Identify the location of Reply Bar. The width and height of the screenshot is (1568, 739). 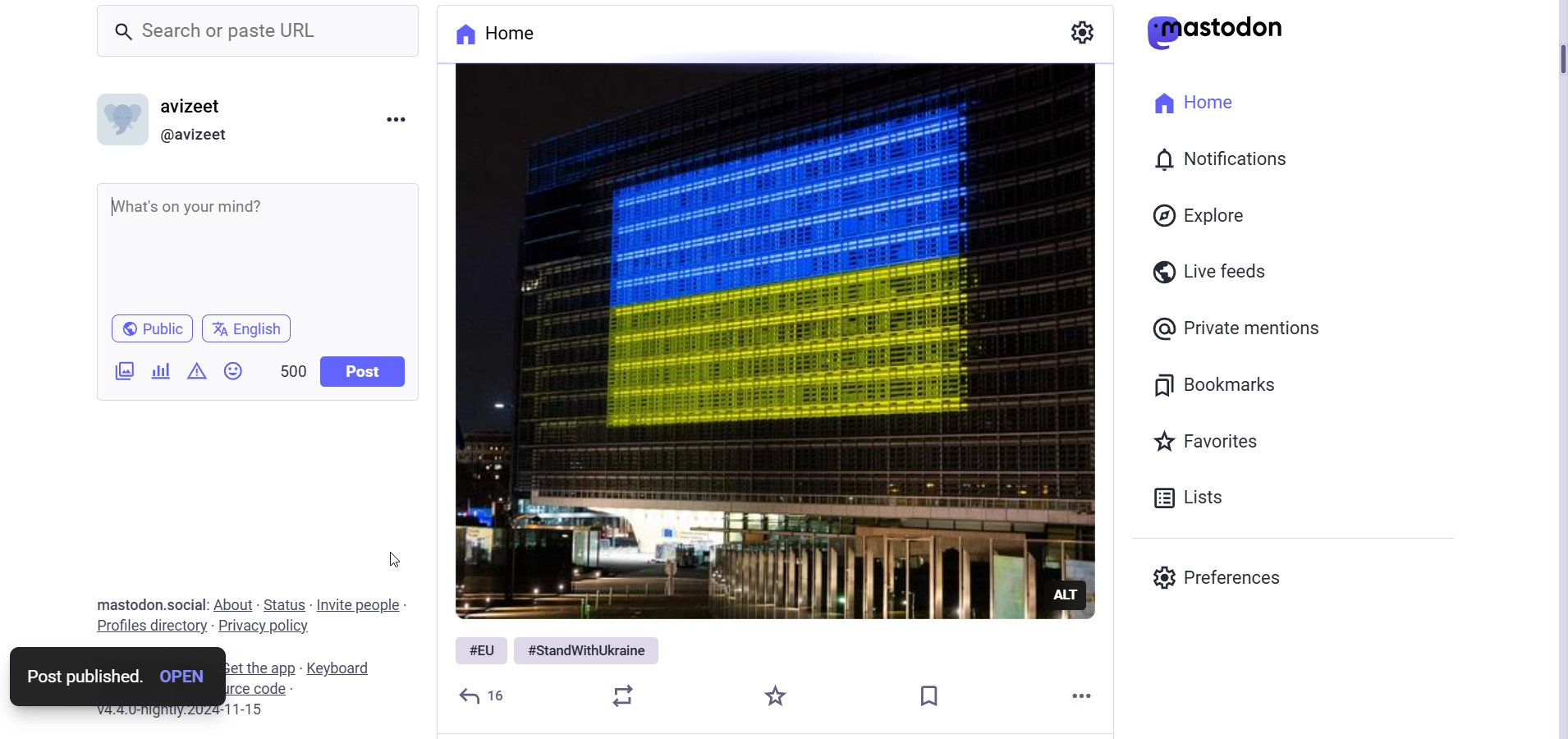
(265, 241).